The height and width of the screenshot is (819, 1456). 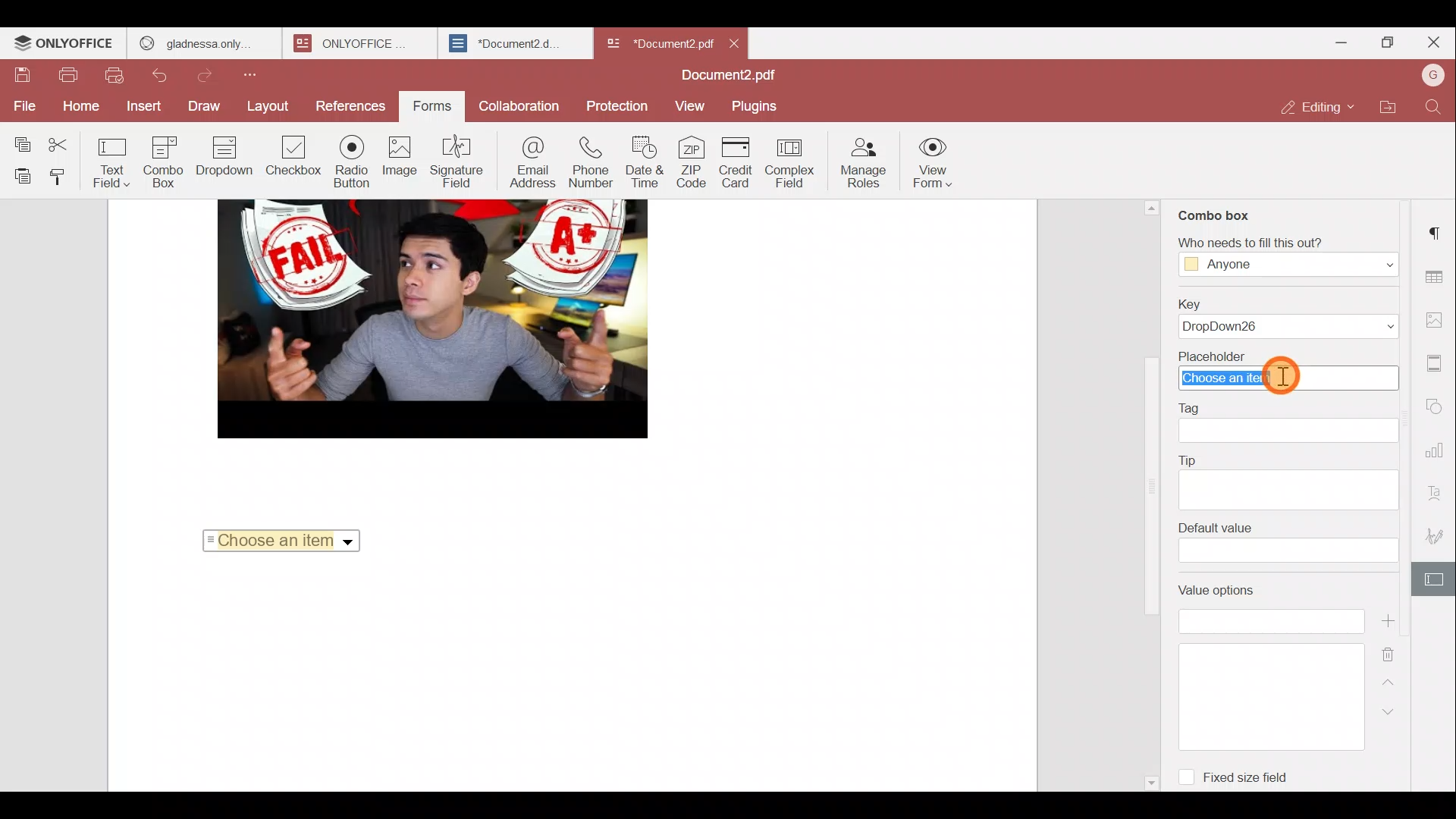 I want to click on image, so click(x=431, y=318).